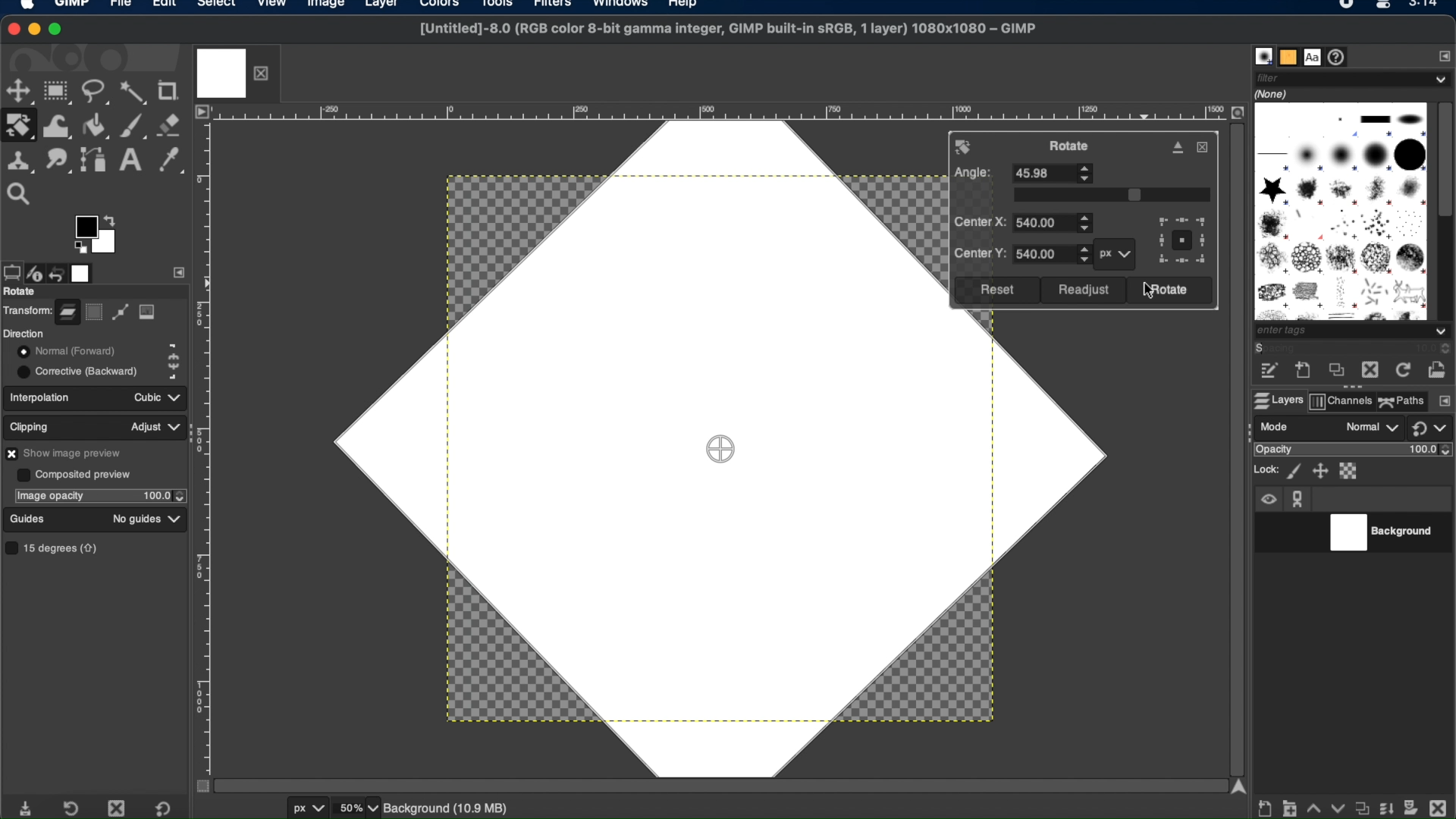  What do you see at coordinates (134, 93) in the screenshot?
I see `fuzzy select tool` at bounding box center [134, 93].